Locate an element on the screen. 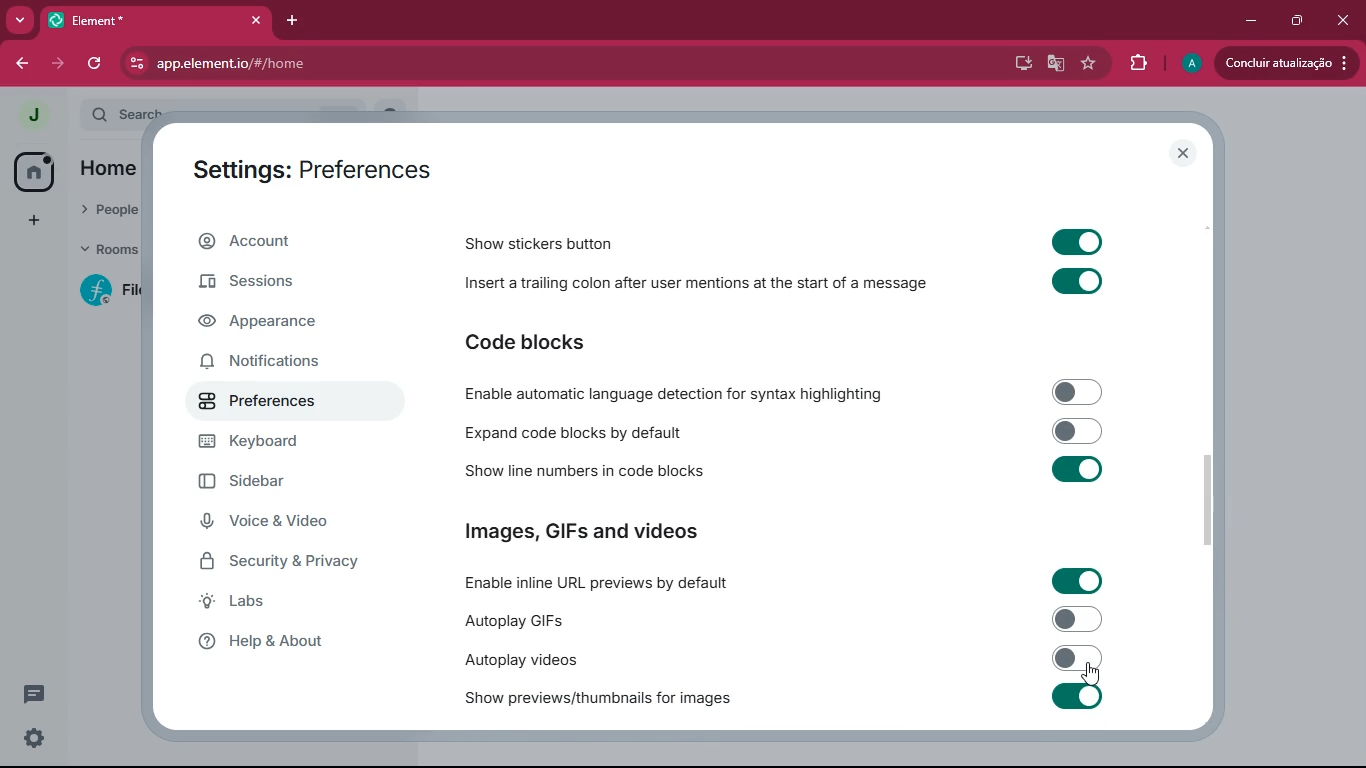  sidebar is located at coordinates (289, 486).